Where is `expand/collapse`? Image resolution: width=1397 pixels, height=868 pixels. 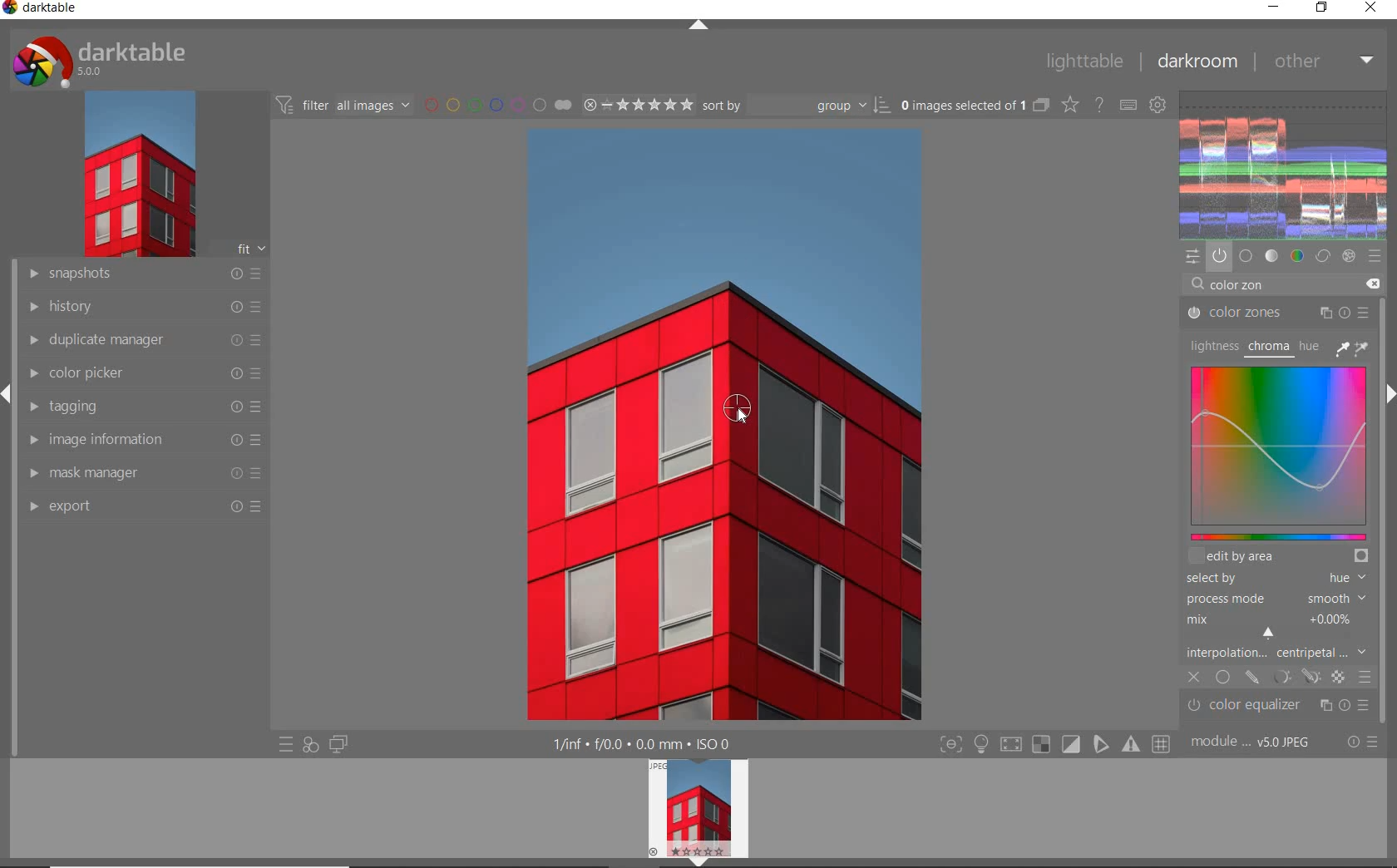
expand/collapse is located at coordinates (1389, 396).